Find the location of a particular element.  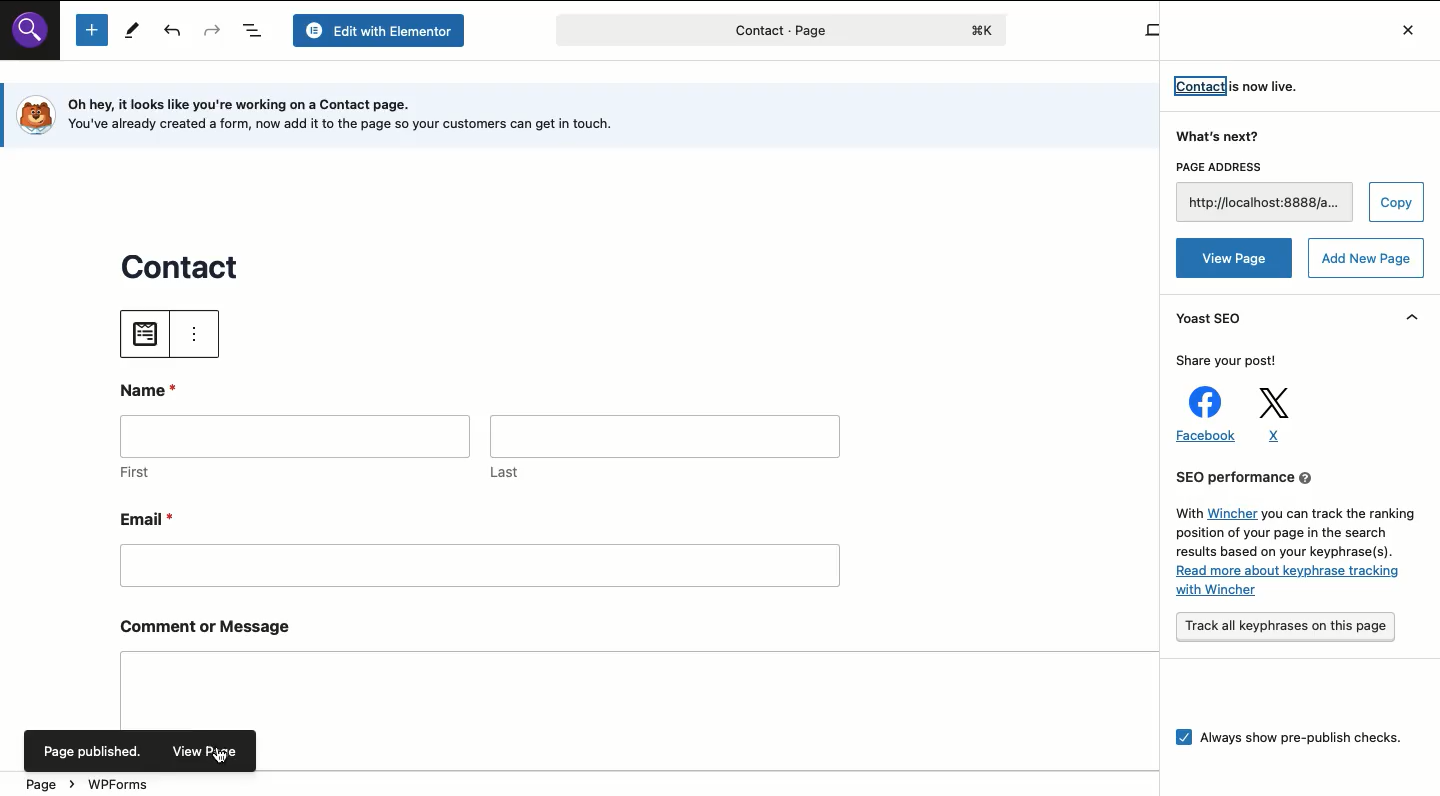

View page is located at coordinates (1235, 257).